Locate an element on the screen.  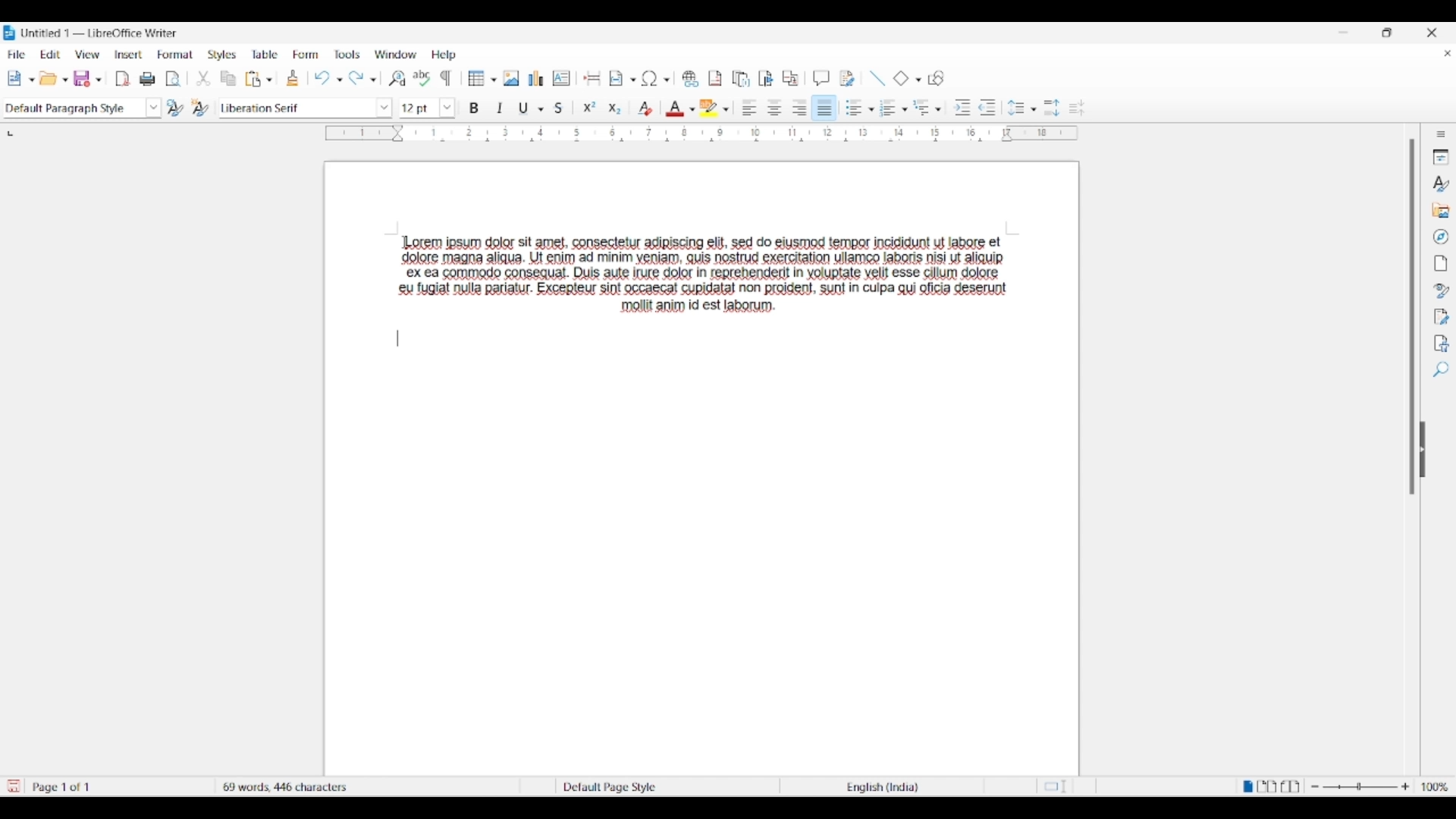
Insert field options is located at coordinates (634, 80).